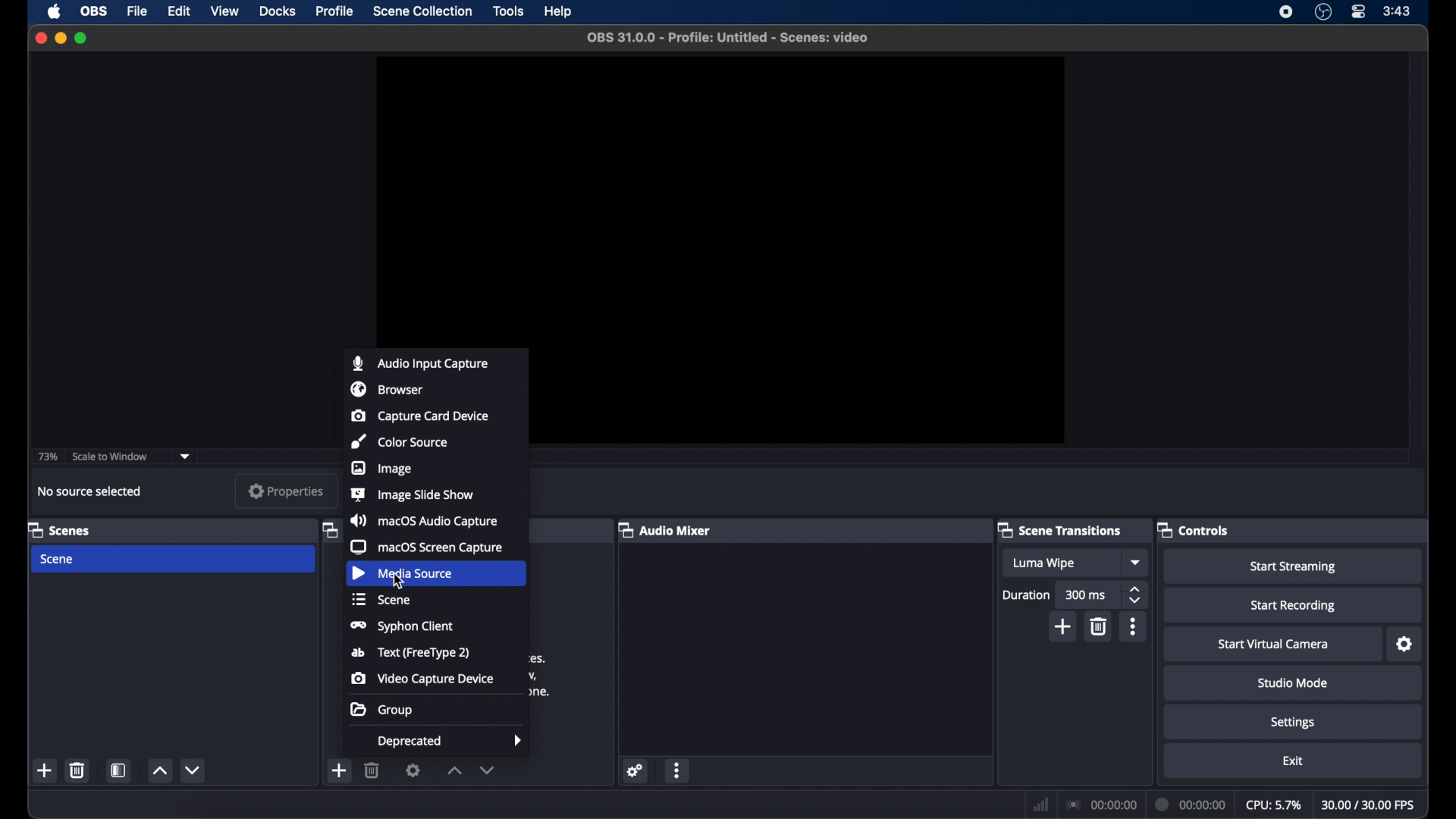  What do you see at coordinates (451, 742) in the screenshot?
I see `deprecated` at bounding box center [451, 742].